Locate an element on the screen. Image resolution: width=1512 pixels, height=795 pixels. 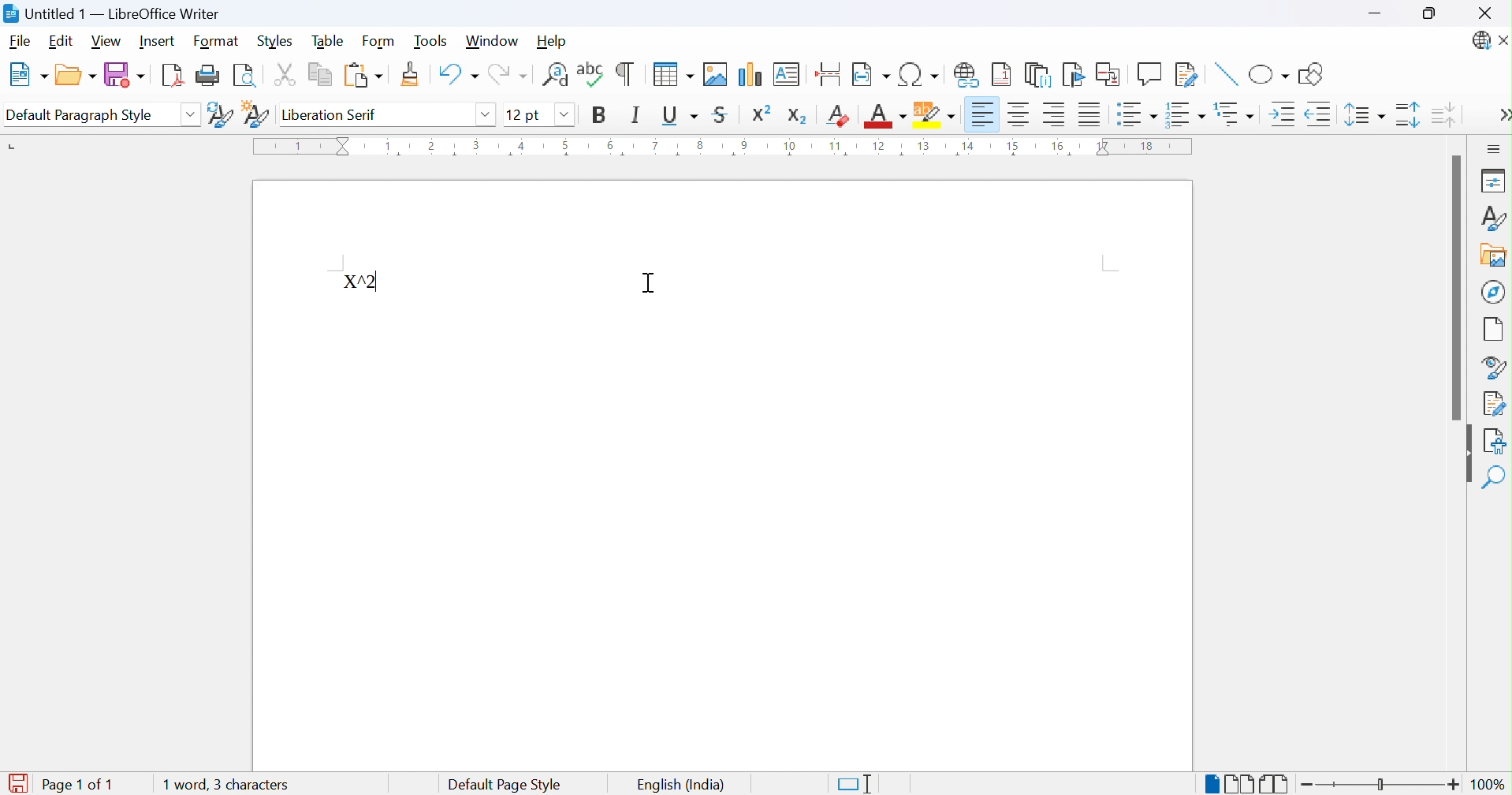
Format is located at coordinates (214, 42).